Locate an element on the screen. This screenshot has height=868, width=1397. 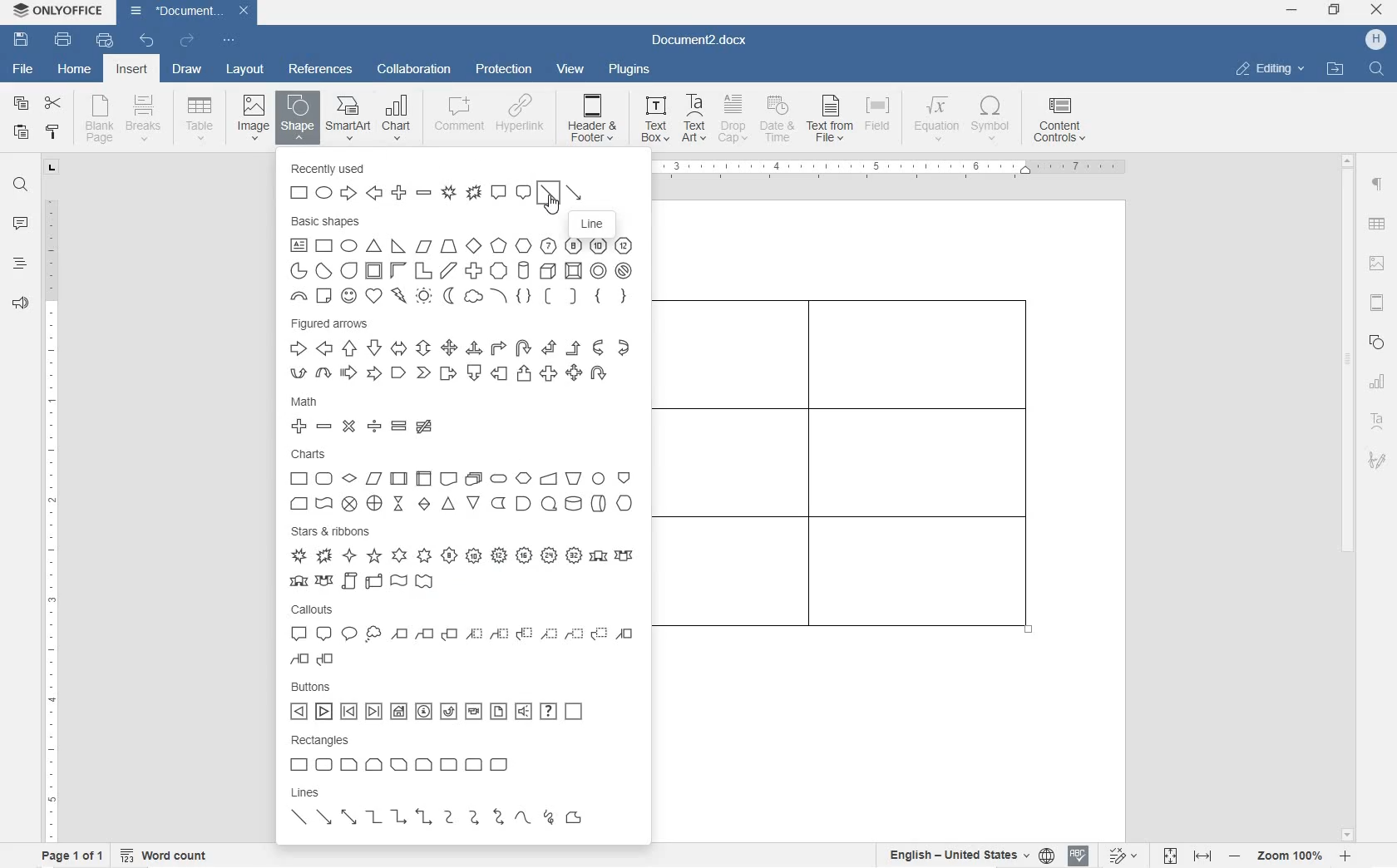
Buttons is located at coordinates (465, 702).